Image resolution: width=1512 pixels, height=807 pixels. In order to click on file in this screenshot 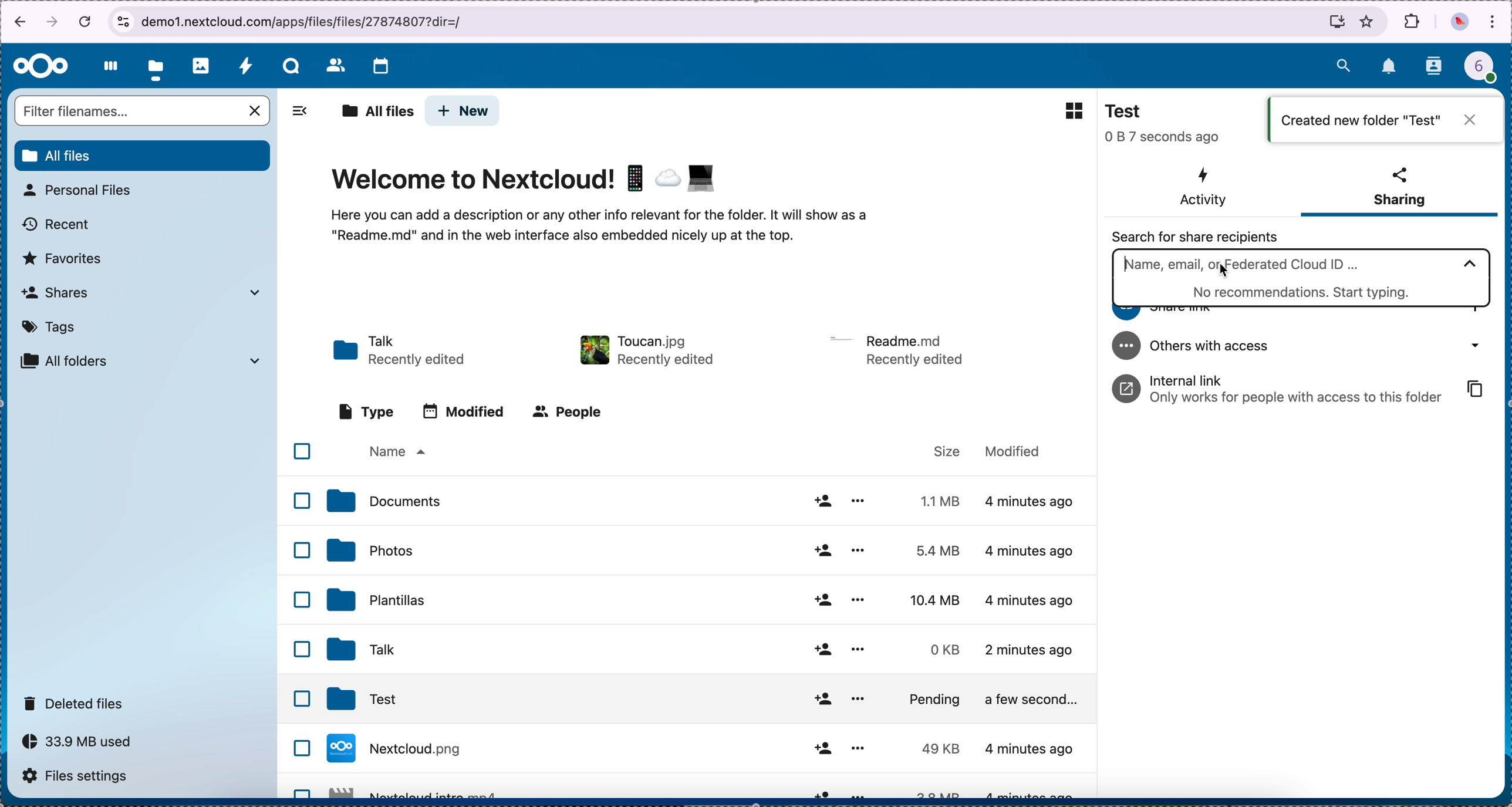, I will do `click(705, 787)`.